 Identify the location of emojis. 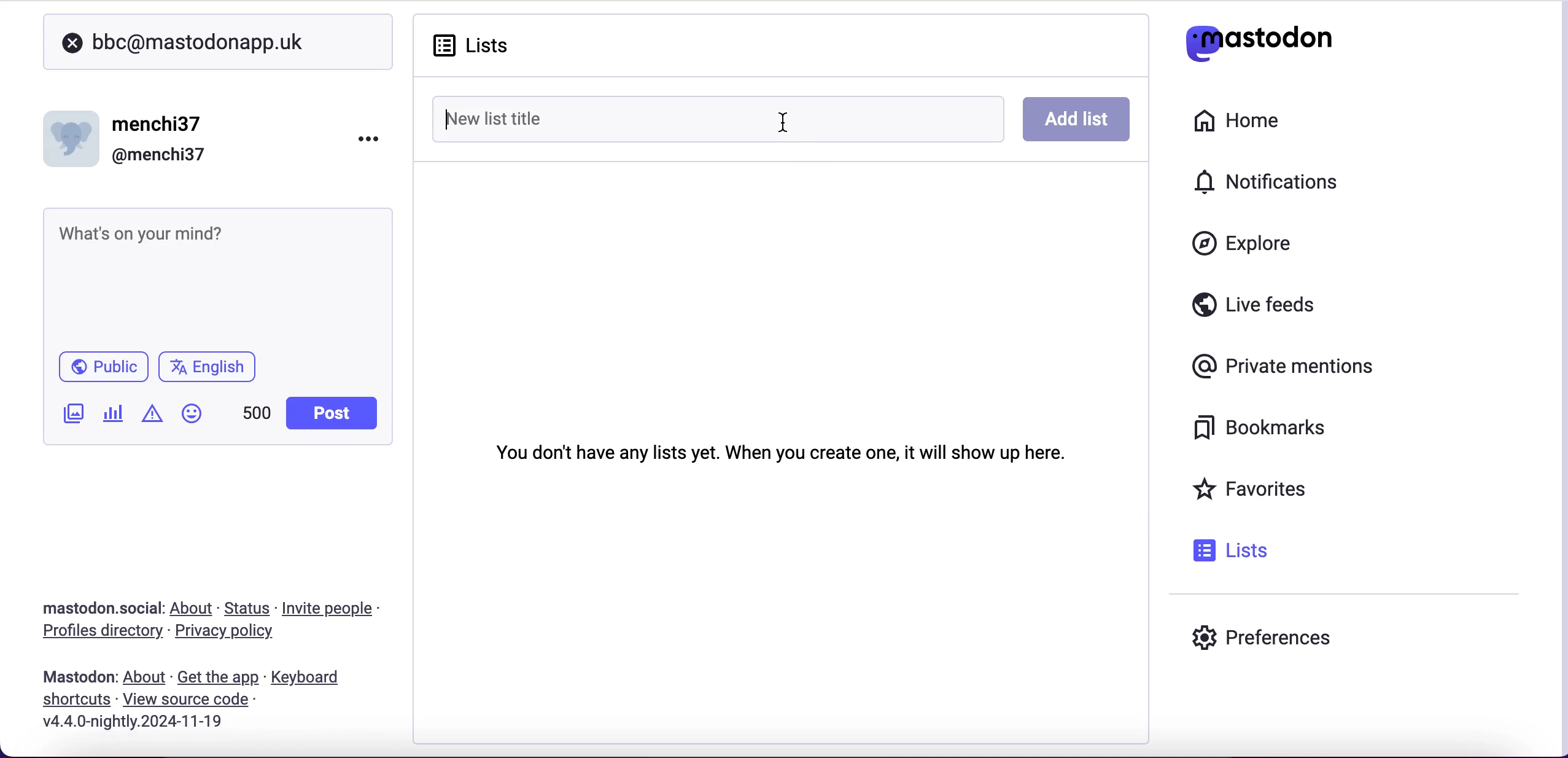
(197, 420).